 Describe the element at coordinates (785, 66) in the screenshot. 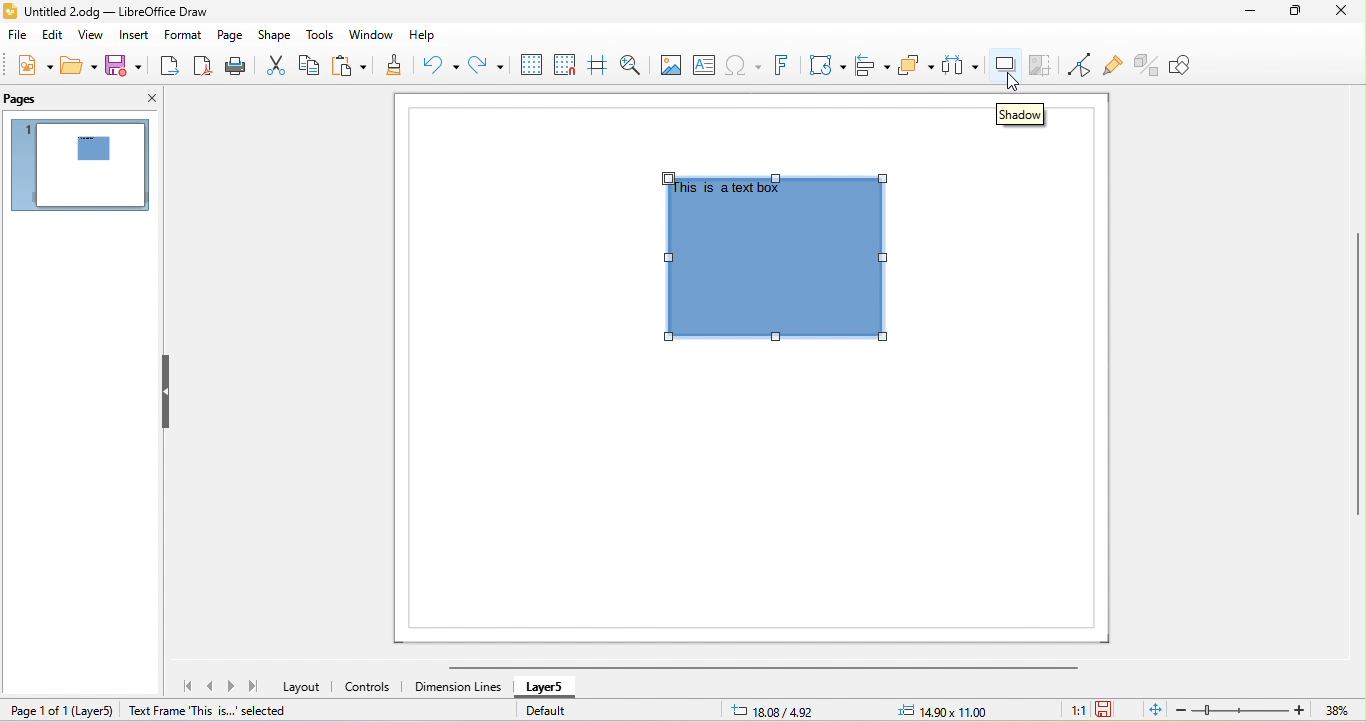

I see `font work text` at that location.